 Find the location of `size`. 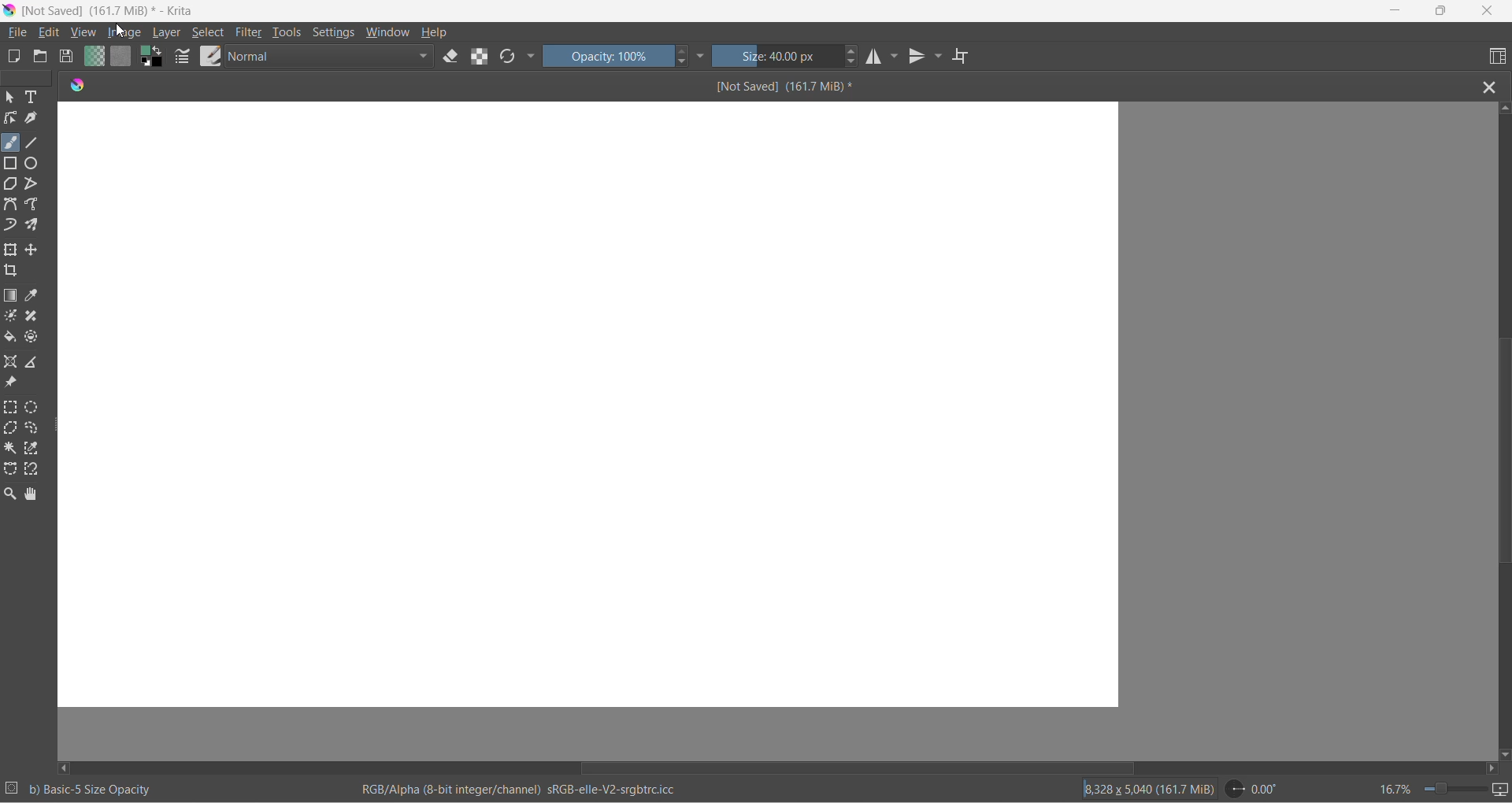

size is located at coordinates (778, 57).